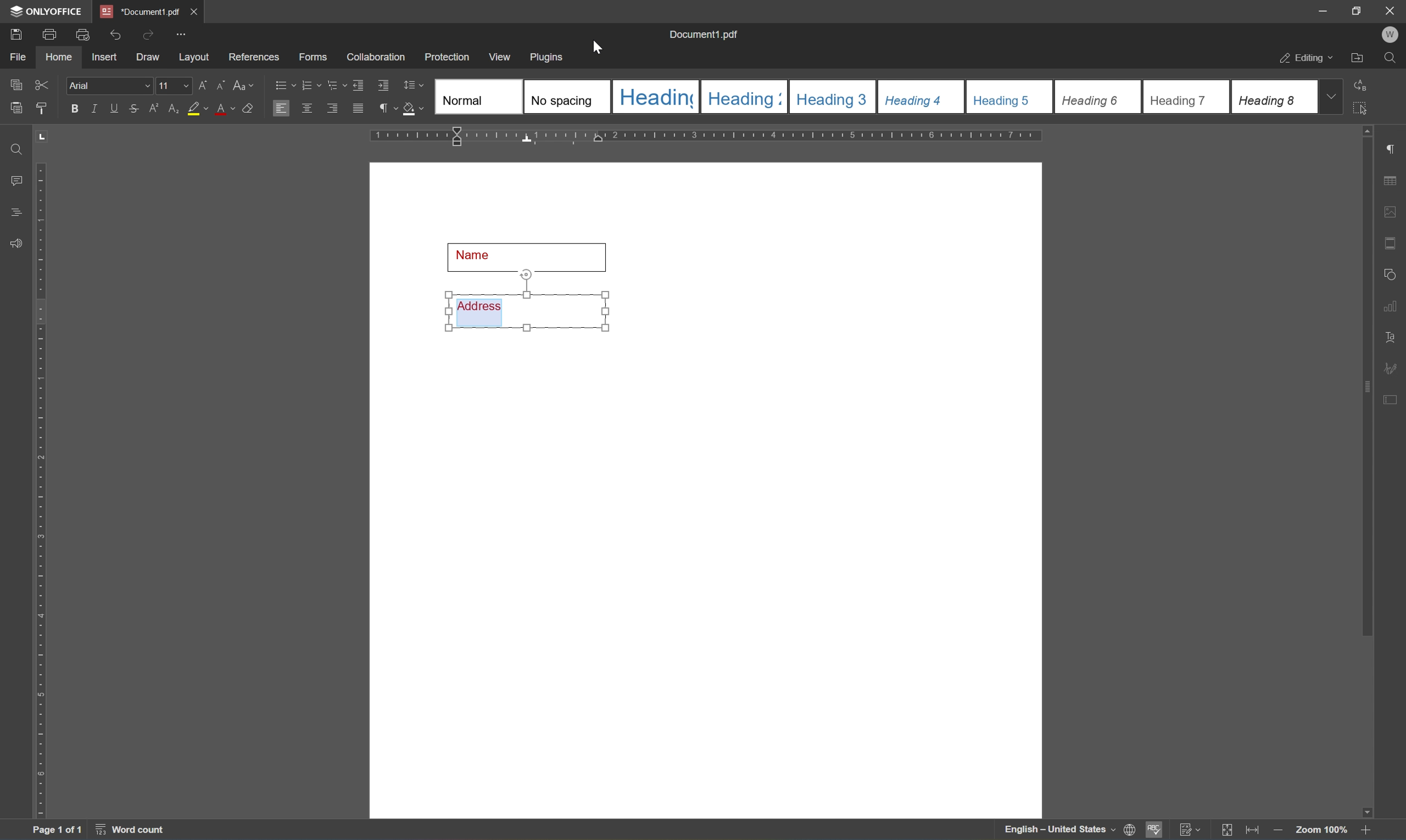 The image size is (1406, 840). I want to click on scroll down, so click(1362, 809).